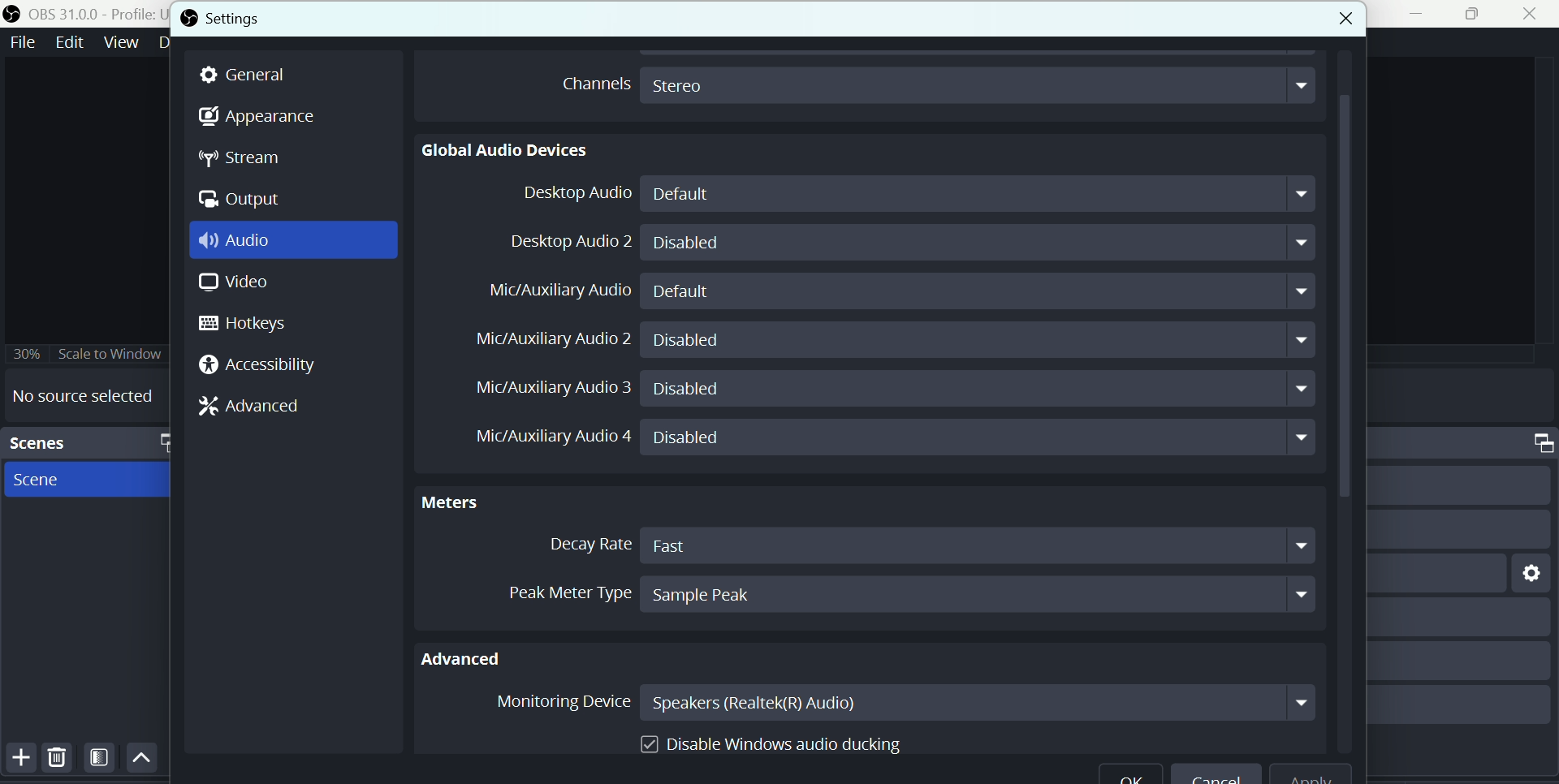  I want to click on Audio, so click(242, 242).